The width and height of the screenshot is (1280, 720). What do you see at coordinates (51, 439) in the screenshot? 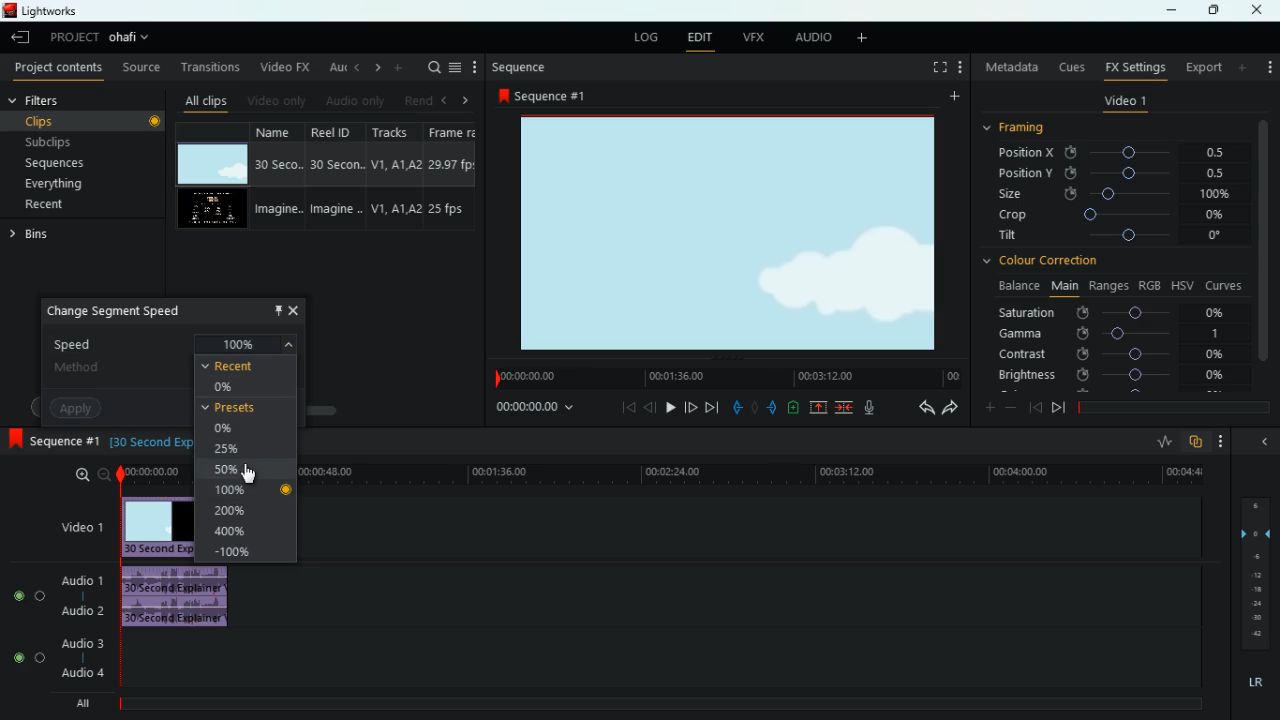
I see `sequence` at bounding box center [51, 439].